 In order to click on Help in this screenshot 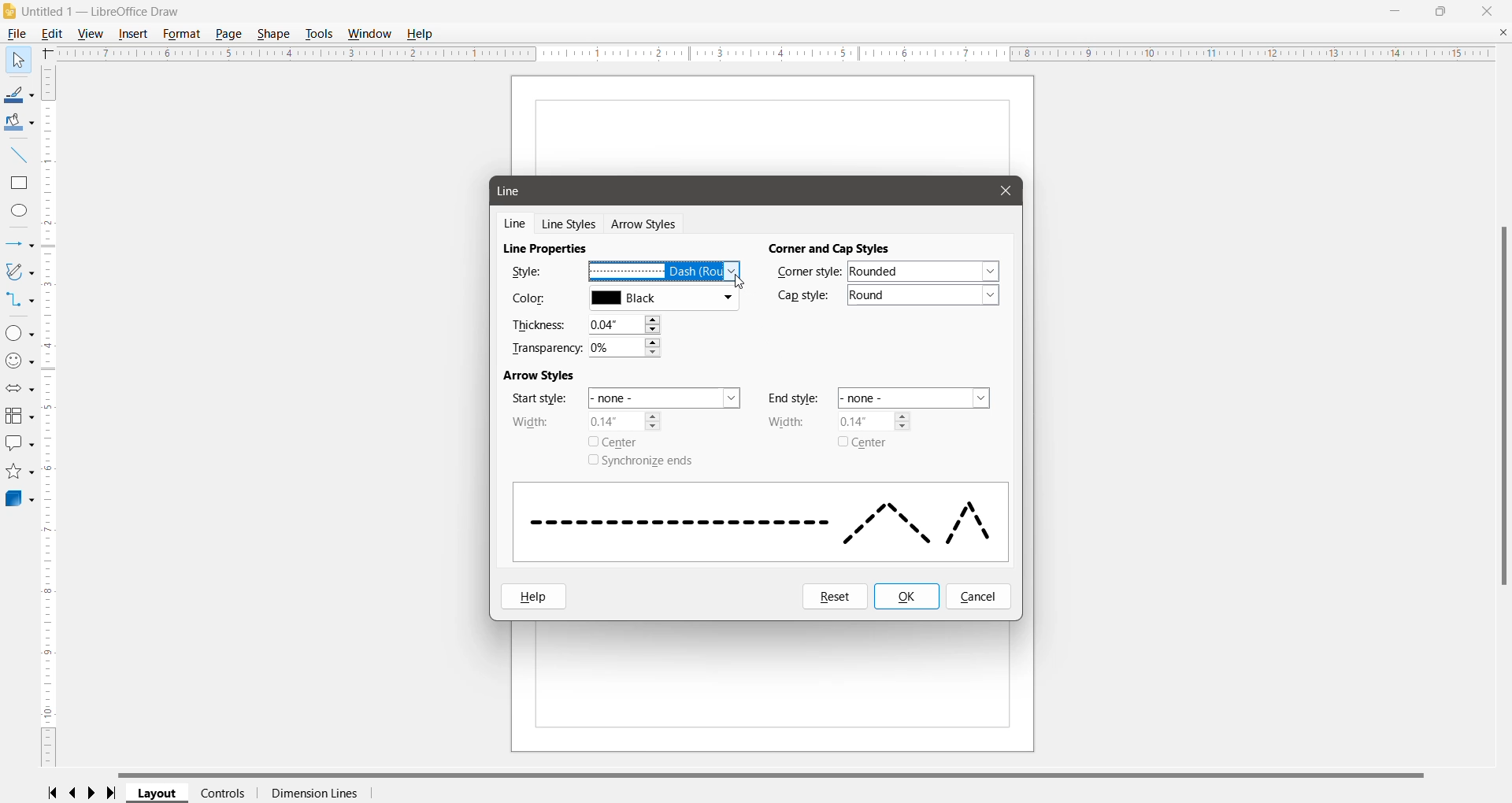, I will do `click(535, 597)`.